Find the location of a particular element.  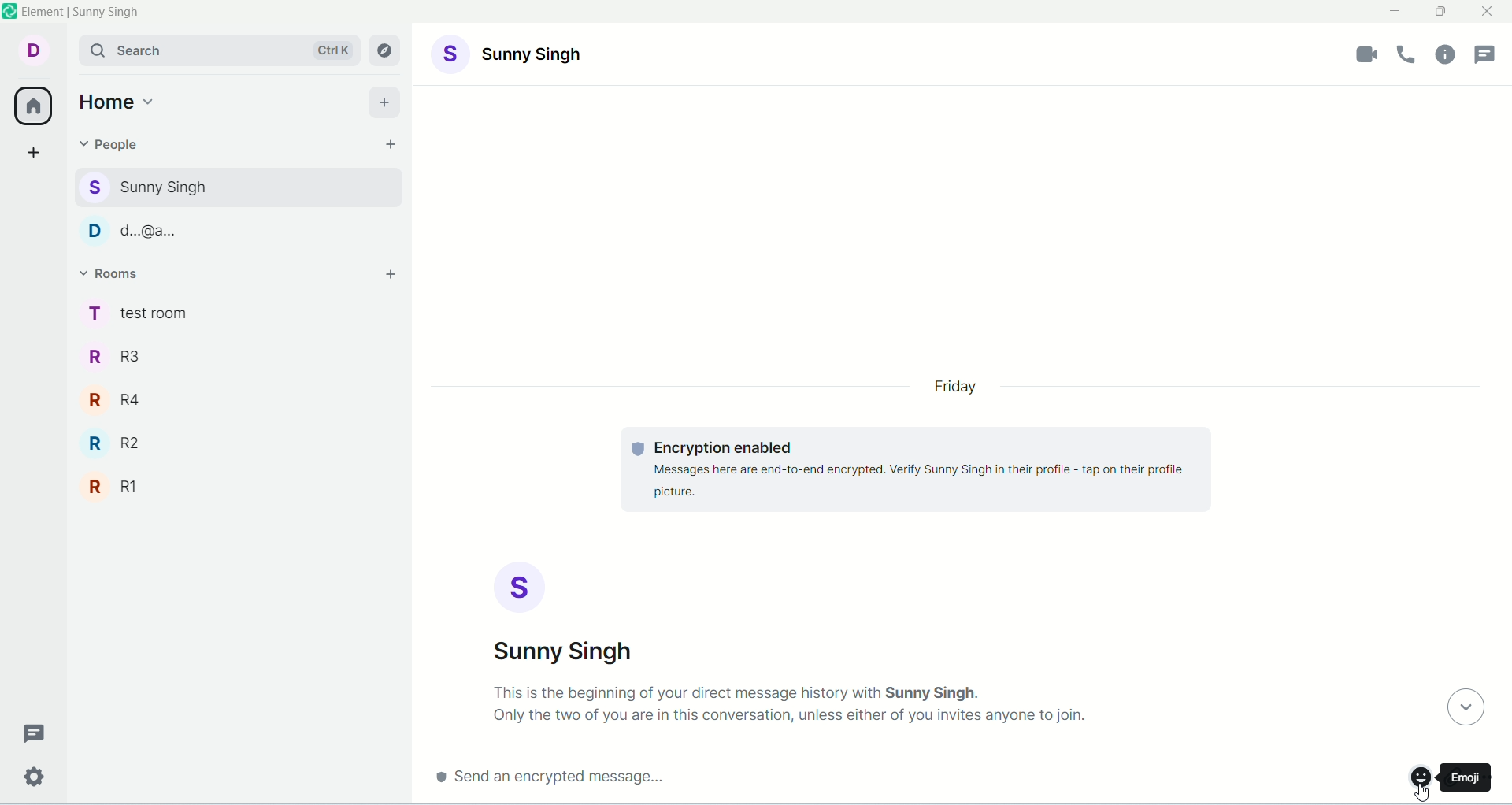

test room is located at coordinates (237, 312).